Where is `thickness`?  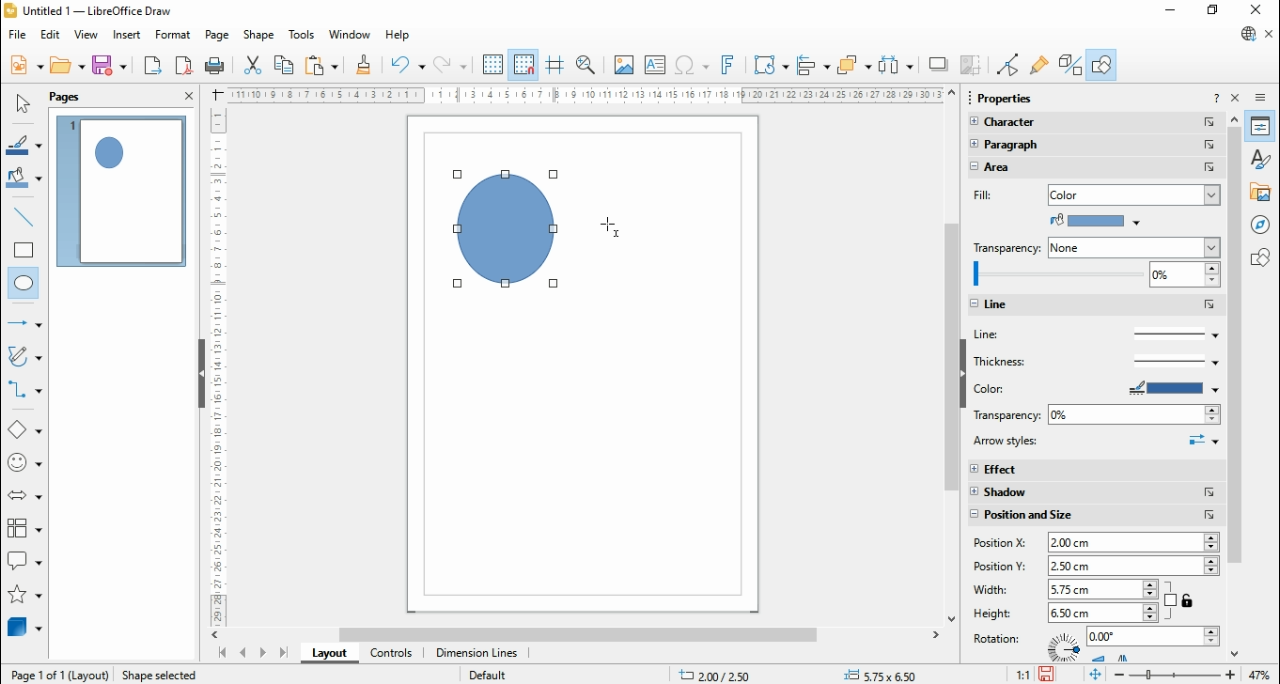
thickness is located at coordinates (1096, 360).